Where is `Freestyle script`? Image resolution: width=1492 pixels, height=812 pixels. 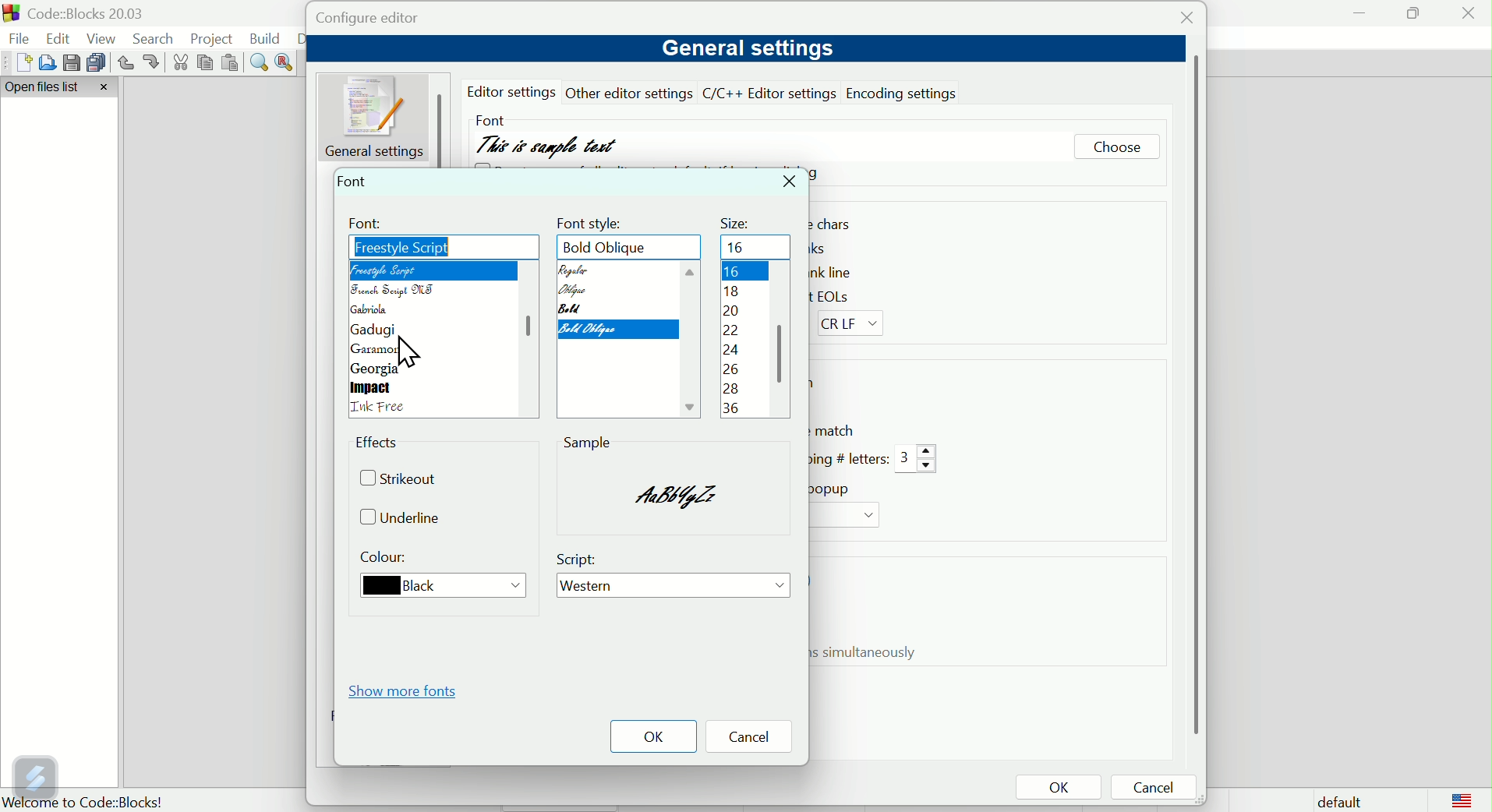
Freestyle script is located at coordinates (389, 269).